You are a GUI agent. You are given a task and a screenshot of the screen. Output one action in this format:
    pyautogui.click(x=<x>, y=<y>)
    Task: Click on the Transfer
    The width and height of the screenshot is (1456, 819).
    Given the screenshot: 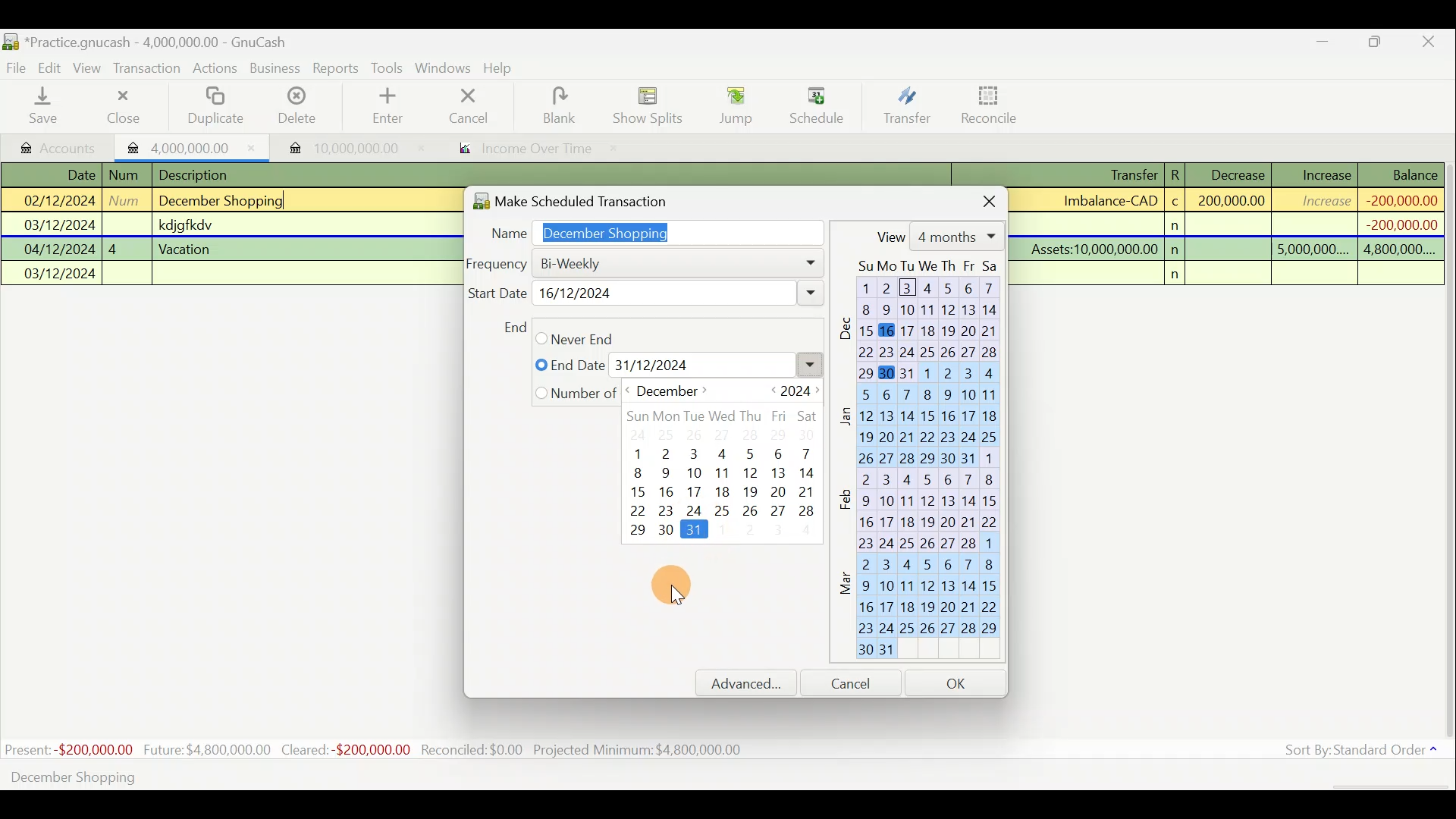 What is the action you would take?
    pyautogui.click(x=907, y=105)
    